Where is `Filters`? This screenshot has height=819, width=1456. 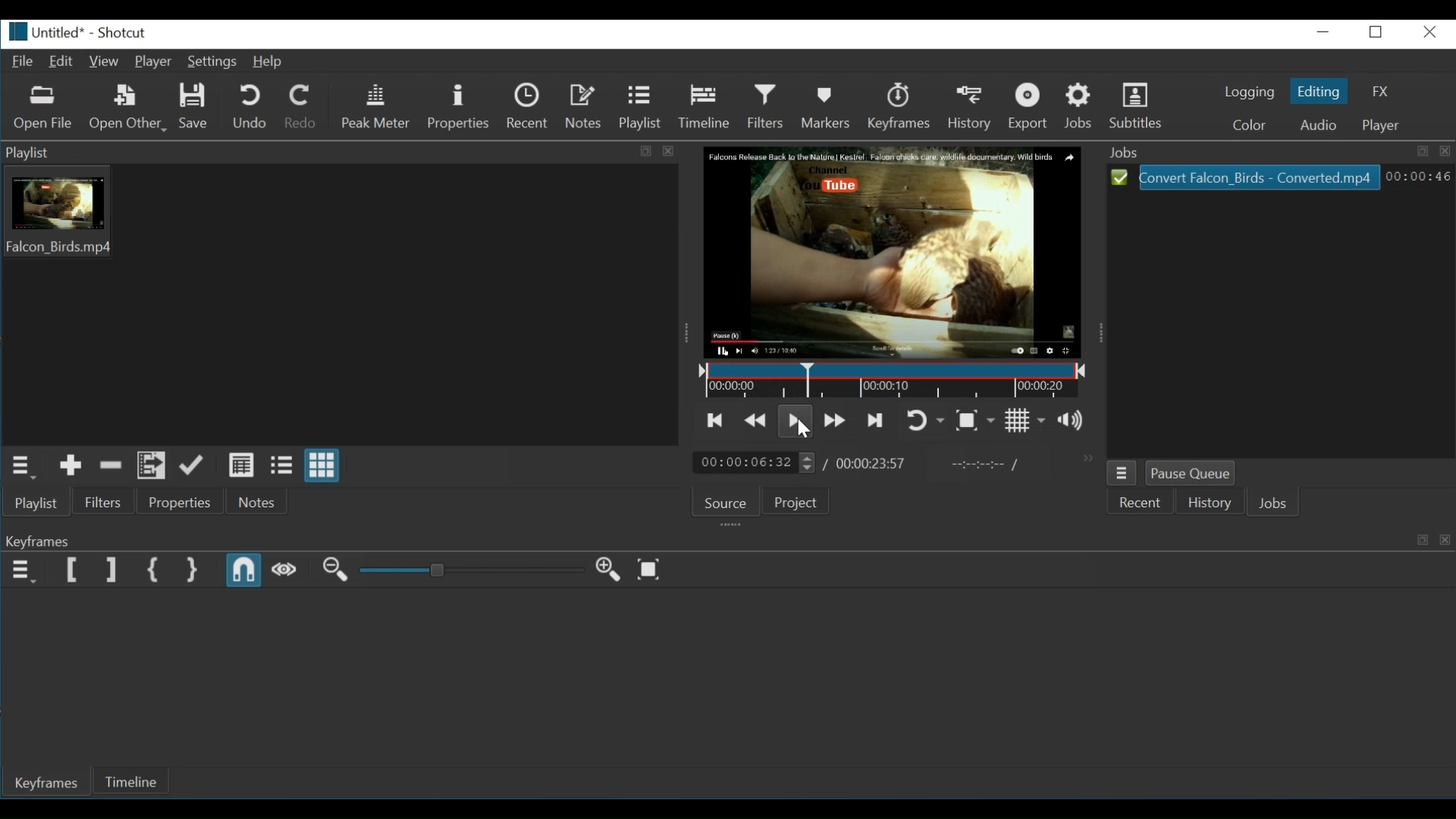 Filters is located at coordinates (765, 106).